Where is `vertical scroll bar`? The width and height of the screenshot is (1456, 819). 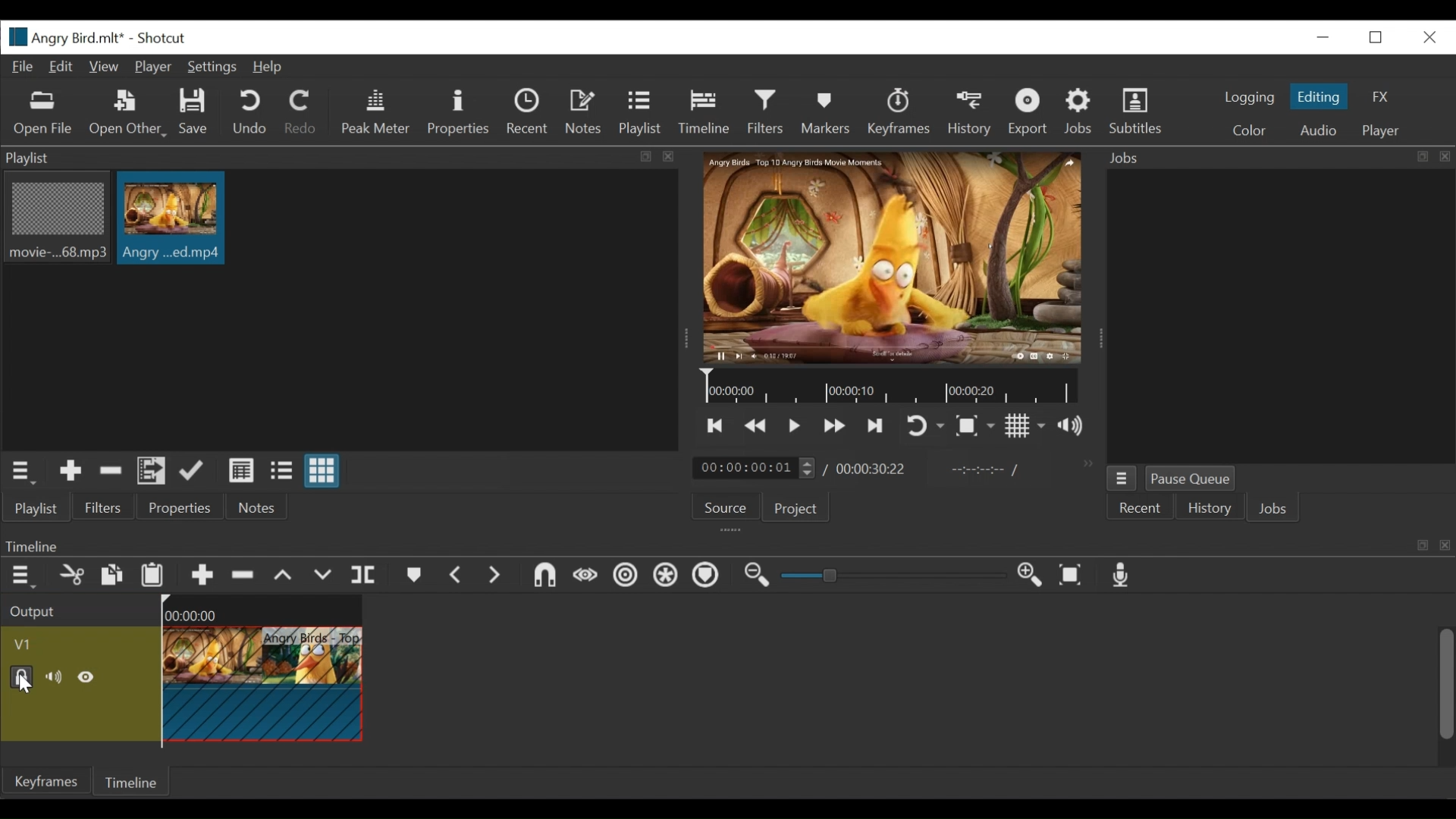
vertical scroll bar is located at coordinates (1442, 706).